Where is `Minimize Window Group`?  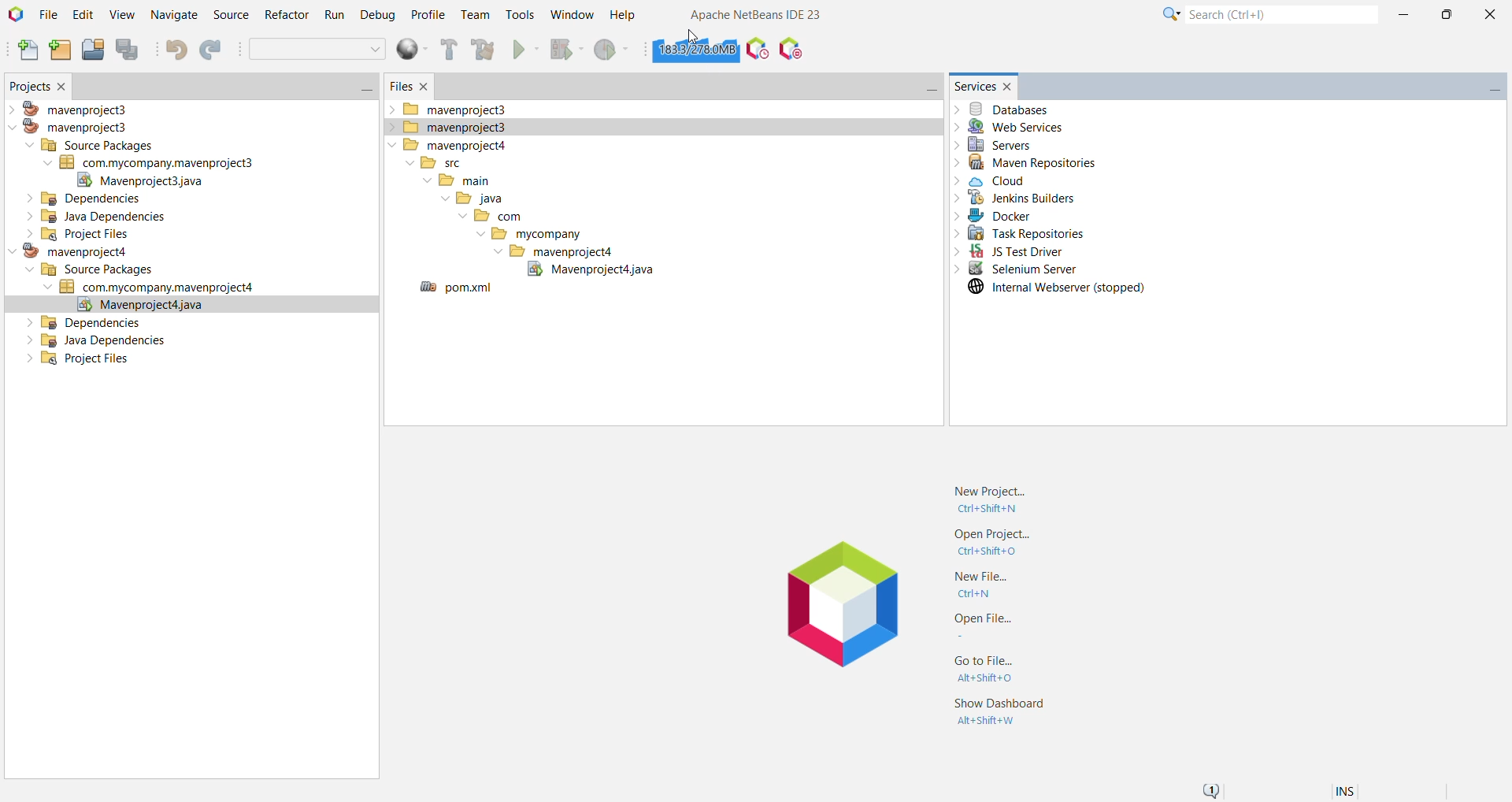
Minimize Window Group is located at coordinates (361, 89).